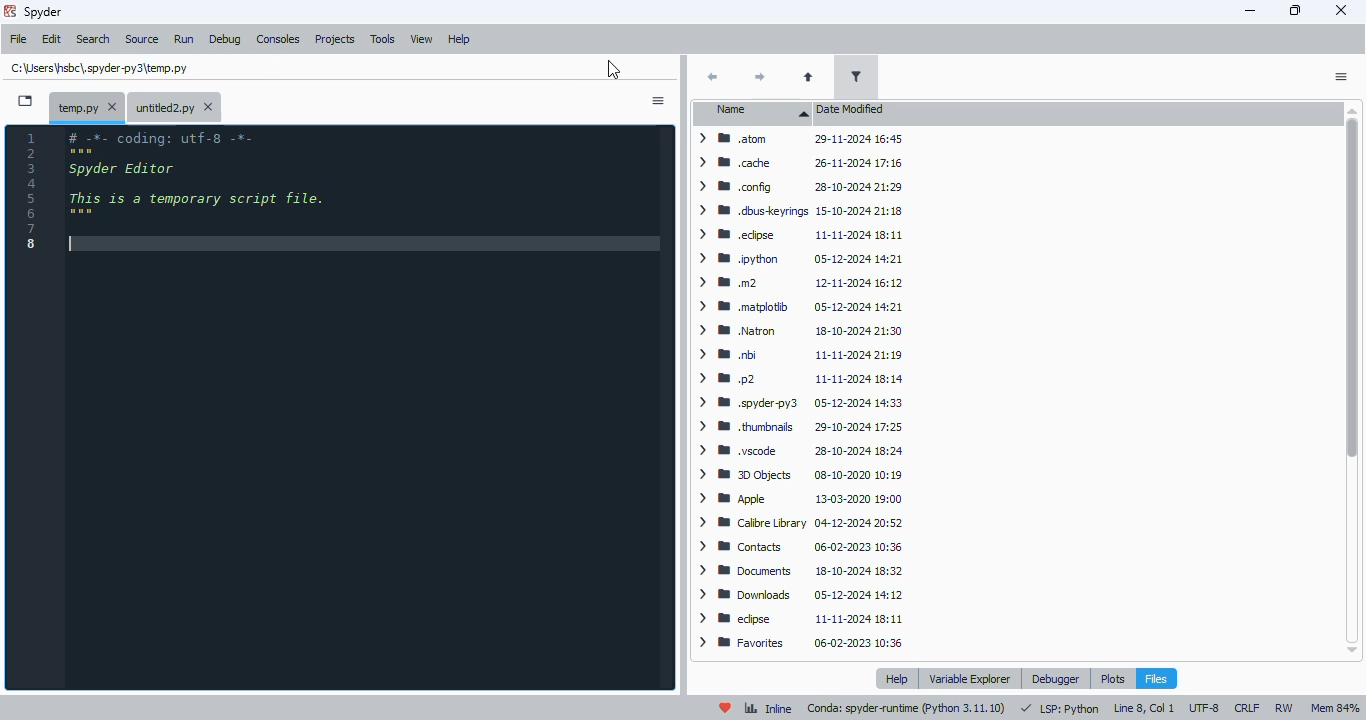 Image resolution: width=1366 pixels, height=720 pixels. Describe the element at coordinates (334, 40) in the screenshot. I see `projects` at that location.